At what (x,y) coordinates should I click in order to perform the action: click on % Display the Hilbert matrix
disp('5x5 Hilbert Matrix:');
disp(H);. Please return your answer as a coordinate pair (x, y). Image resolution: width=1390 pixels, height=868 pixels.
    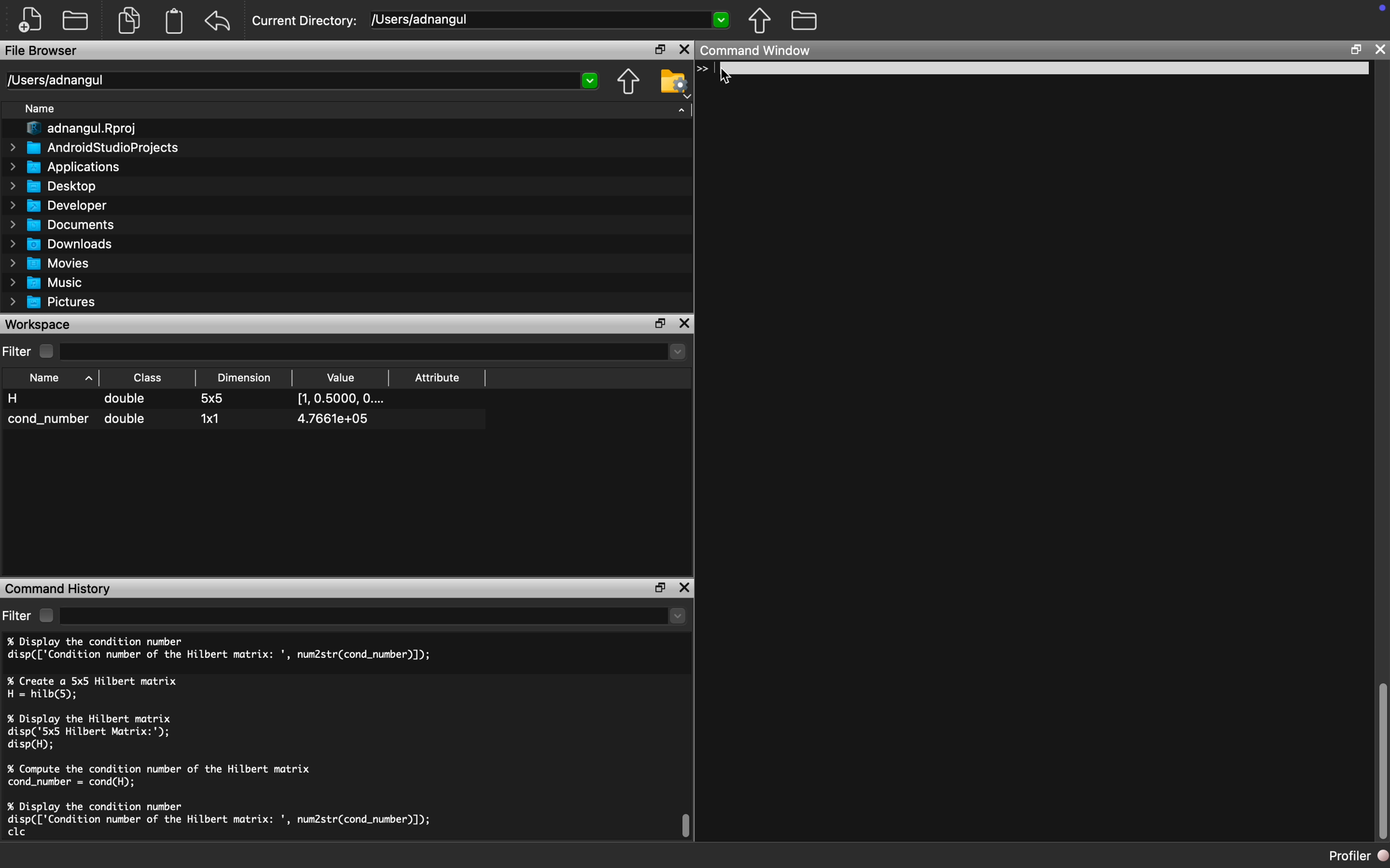
    Looking at the image, I should click on (96, 731).